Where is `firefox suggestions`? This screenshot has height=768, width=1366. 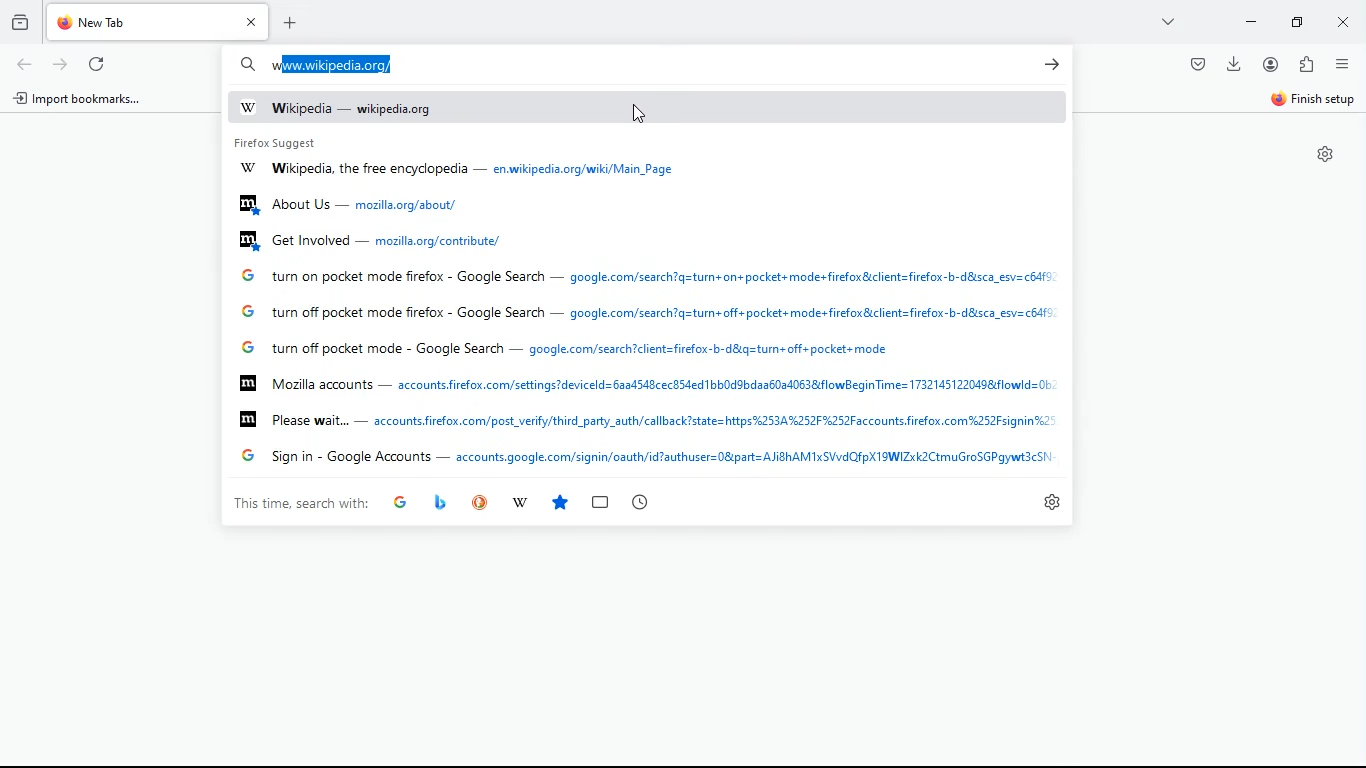
firefox suggestions is located at coordinates (282, 142).